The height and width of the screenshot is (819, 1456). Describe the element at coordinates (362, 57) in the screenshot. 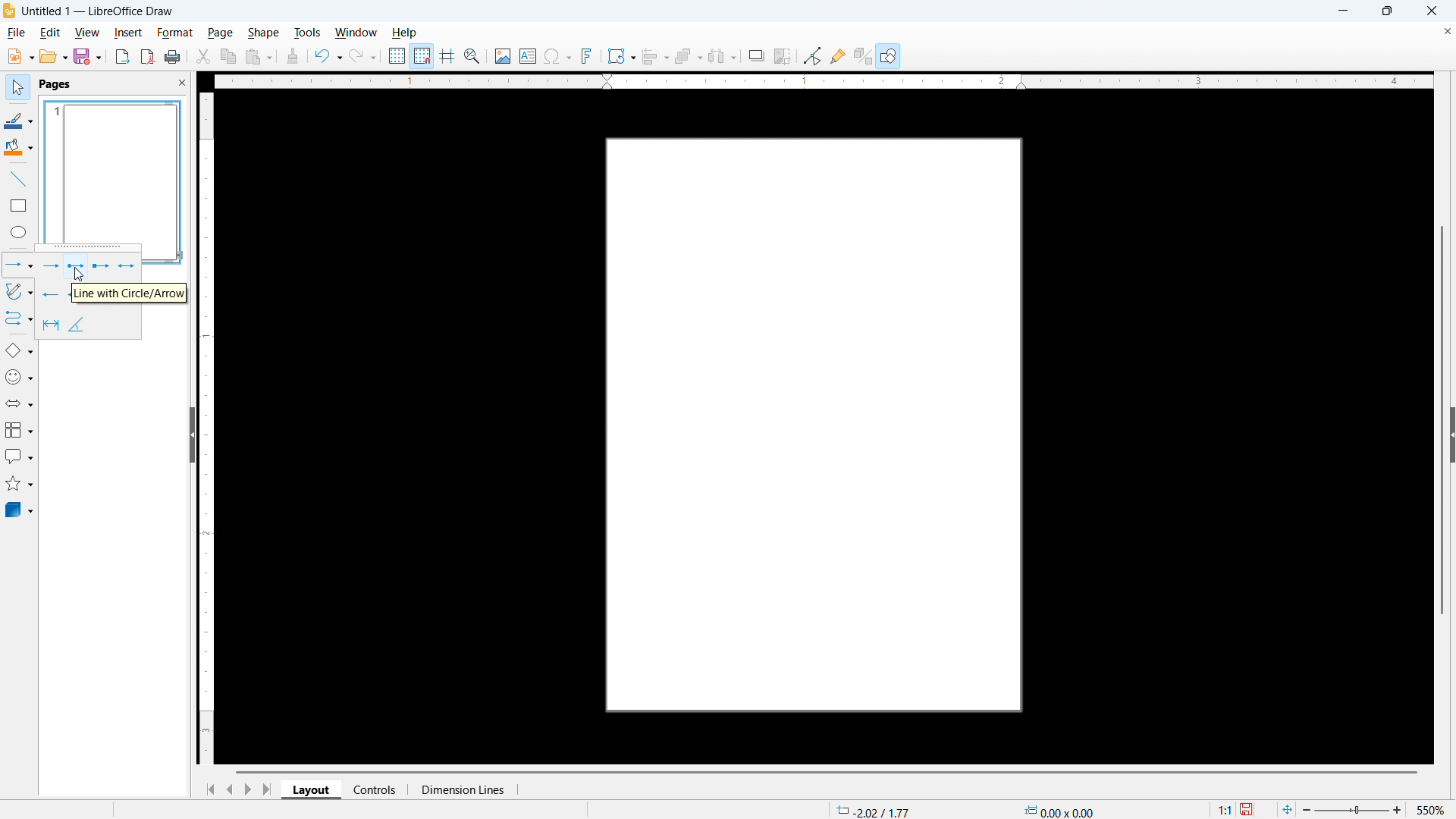

I see `Redo ` at that location.